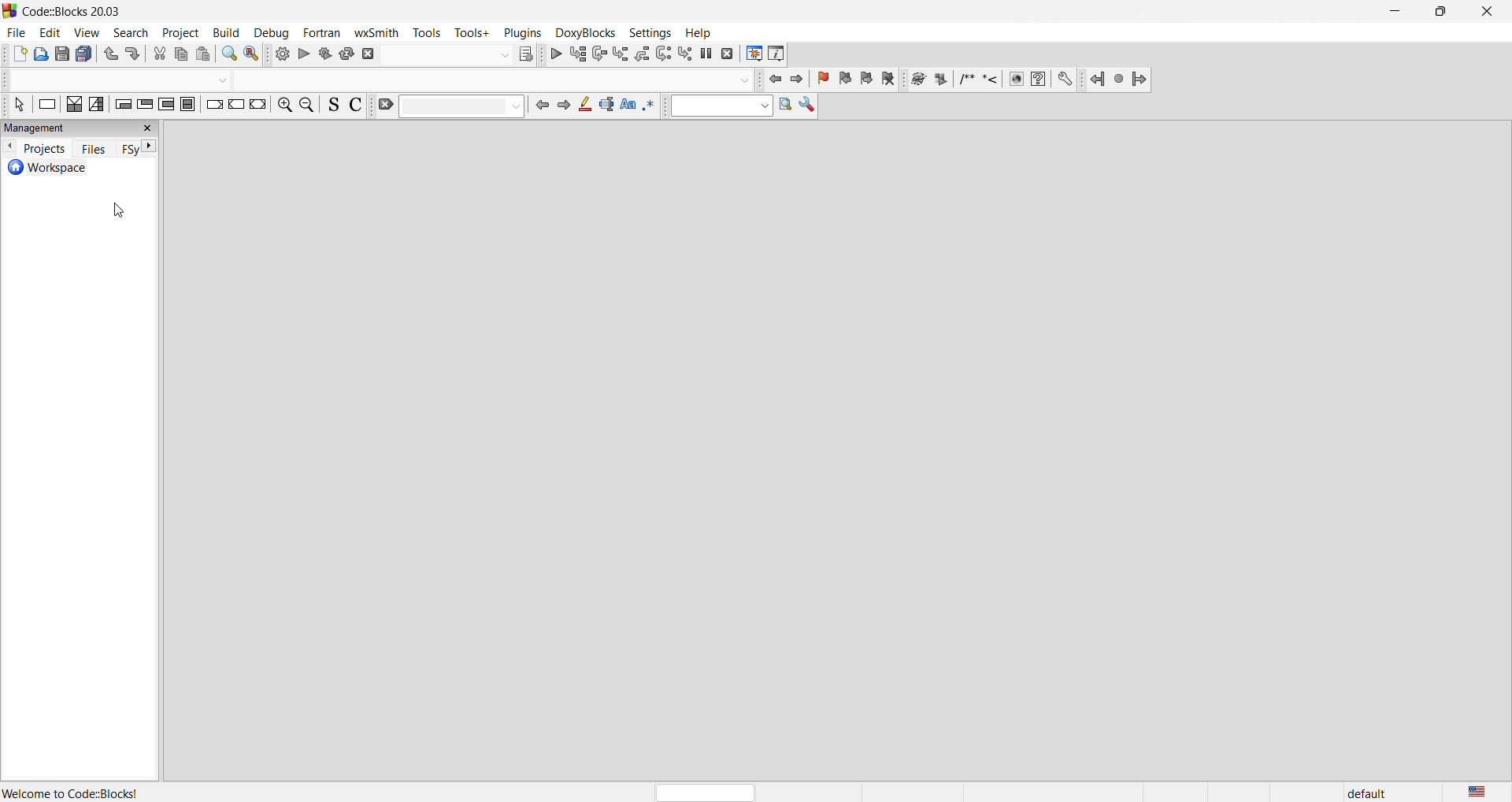 This screenshot has width=1512, height=802. I want to click on zoom out, so click(308, 109).